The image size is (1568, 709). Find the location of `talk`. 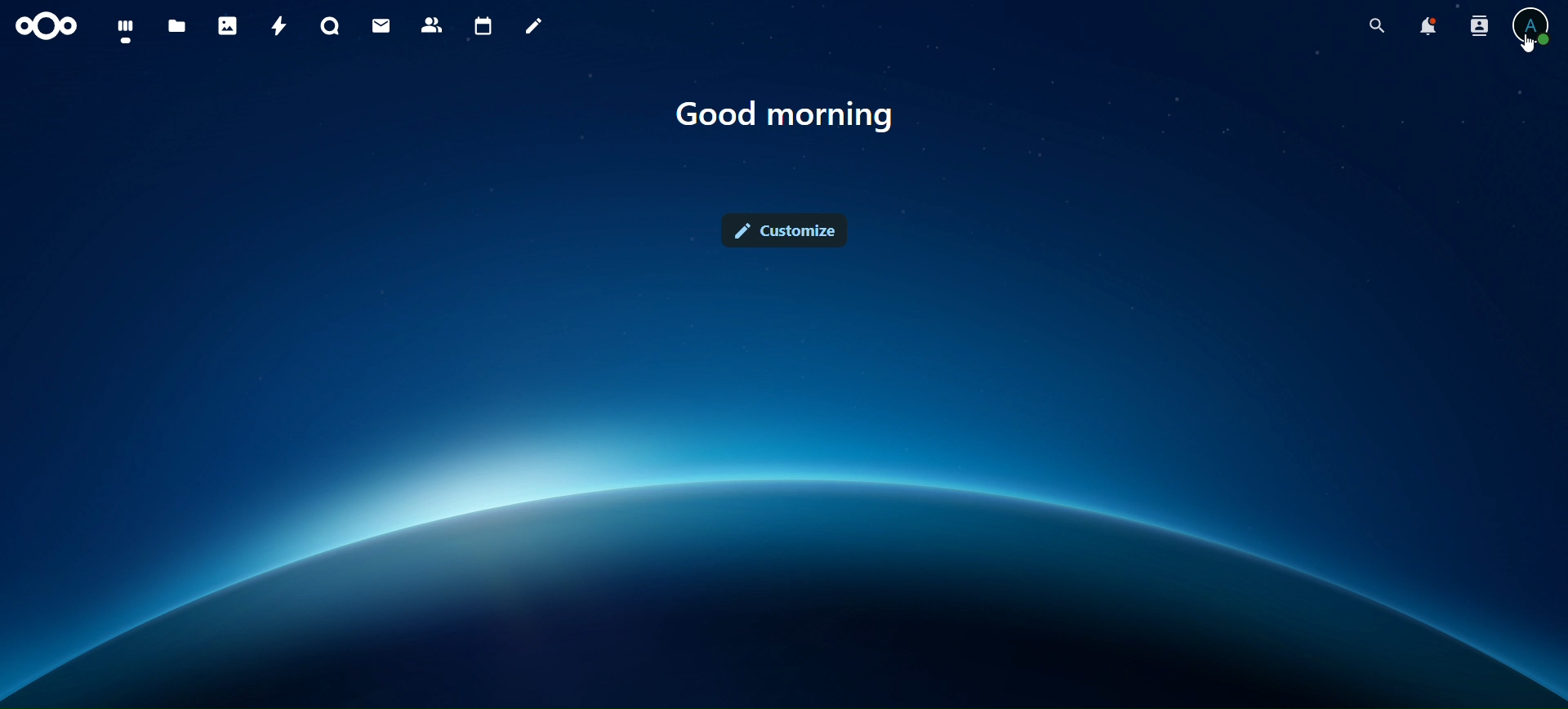

talk is located at coordinates (332, 26).